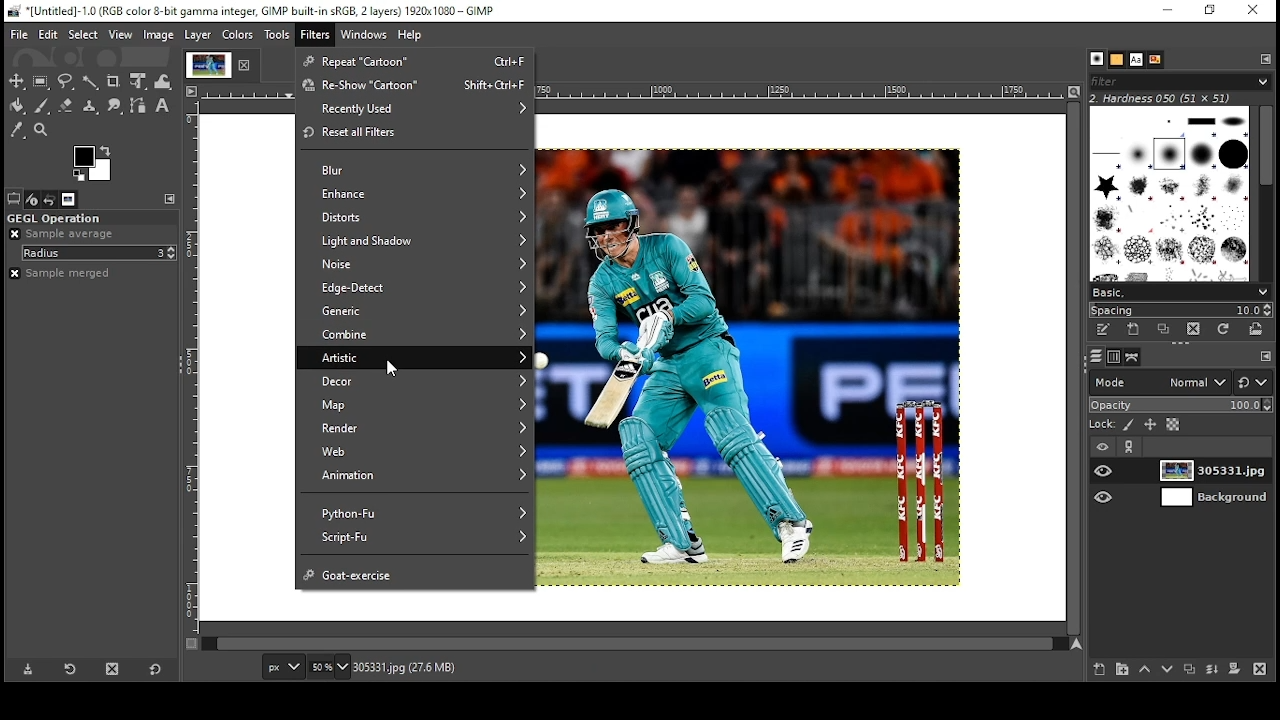  Describe the element at coordinates (1105, 447) in the screenshot. I see `layer visibility` at that location.